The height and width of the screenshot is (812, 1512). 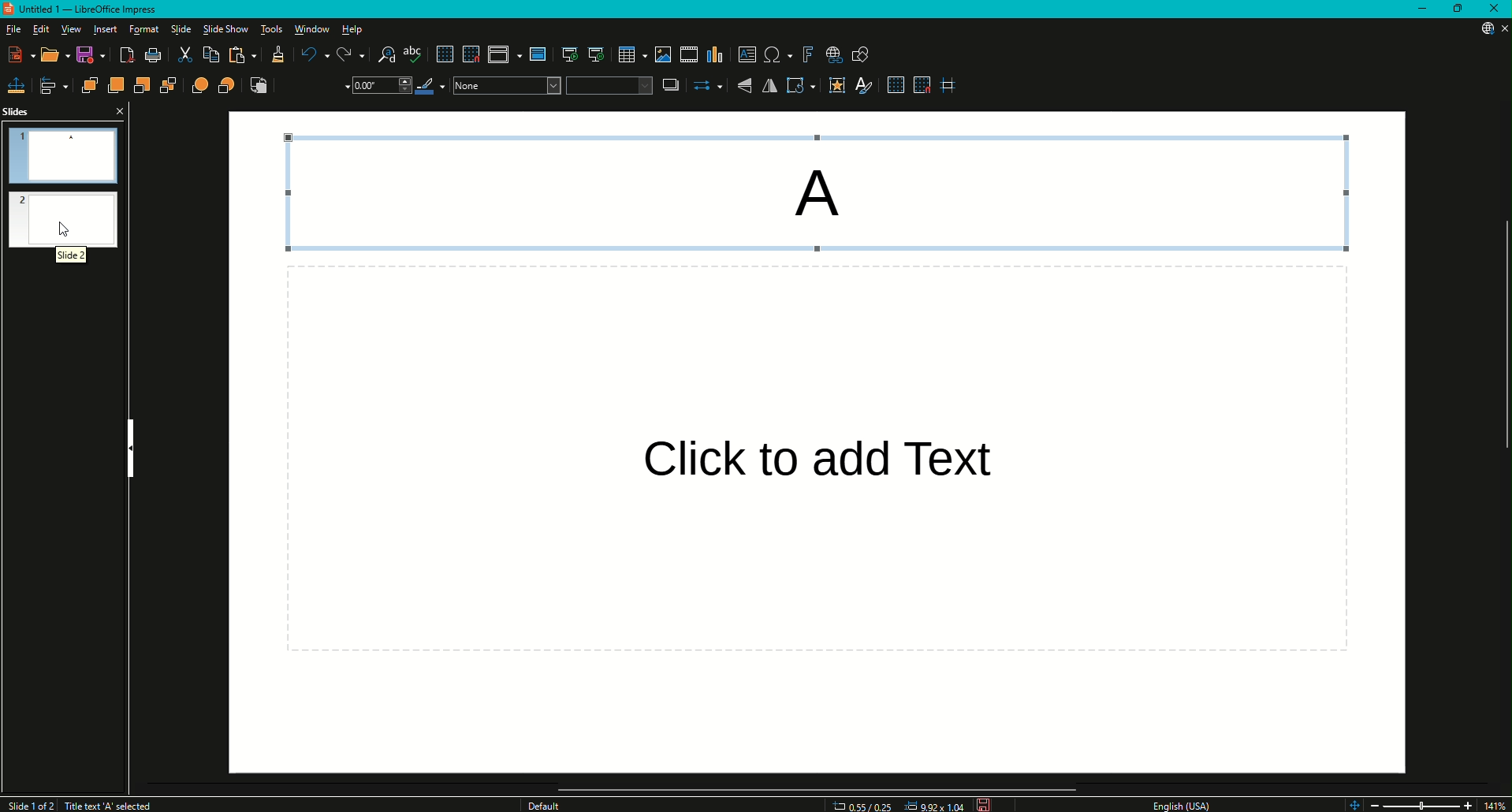 What do you see at coordinates (428, 88) in the screenshot?
I see `Line Color` at bounding box center [428, 88].